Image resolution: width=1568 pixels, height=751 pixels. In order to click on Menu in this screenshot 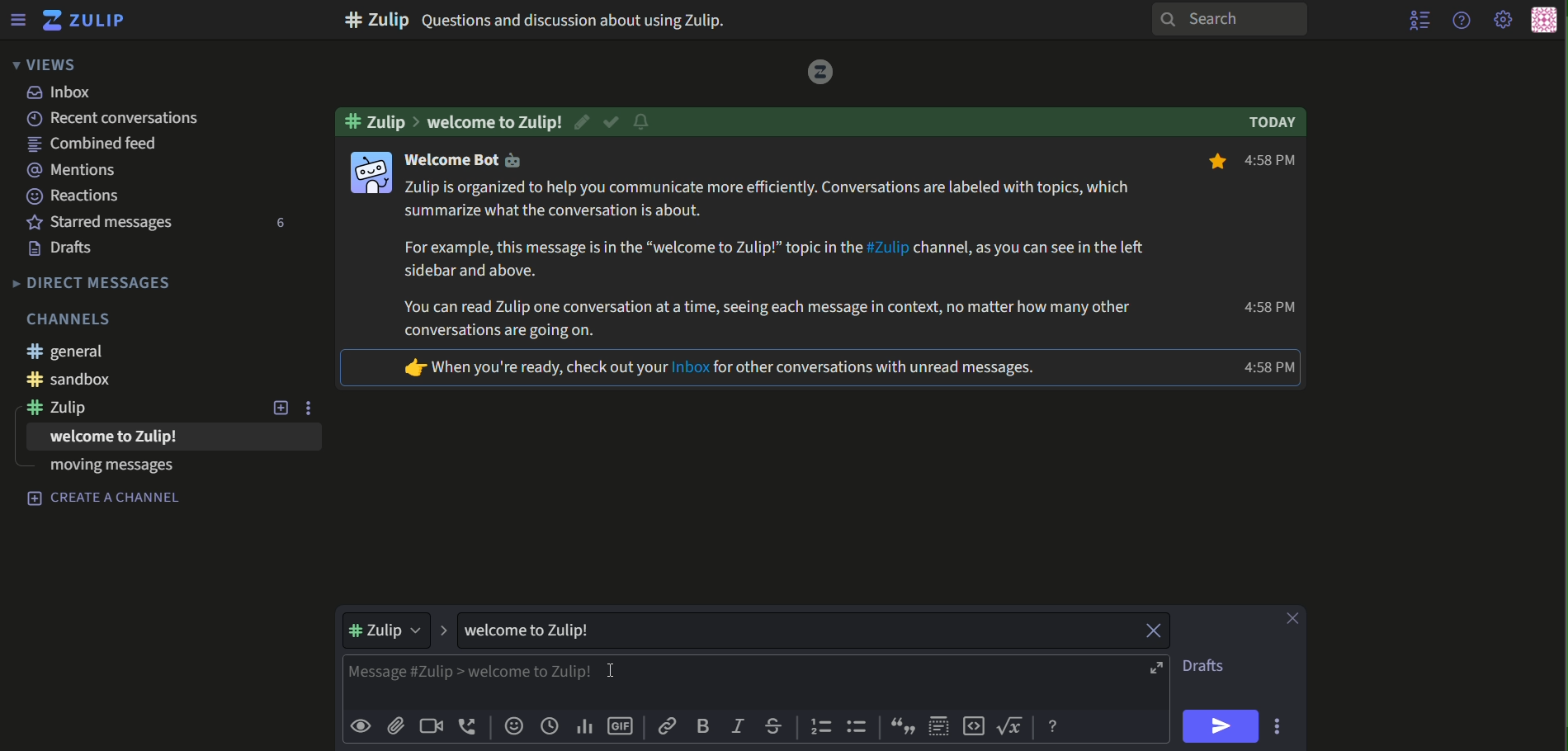, I will do `click(17, 19)`.